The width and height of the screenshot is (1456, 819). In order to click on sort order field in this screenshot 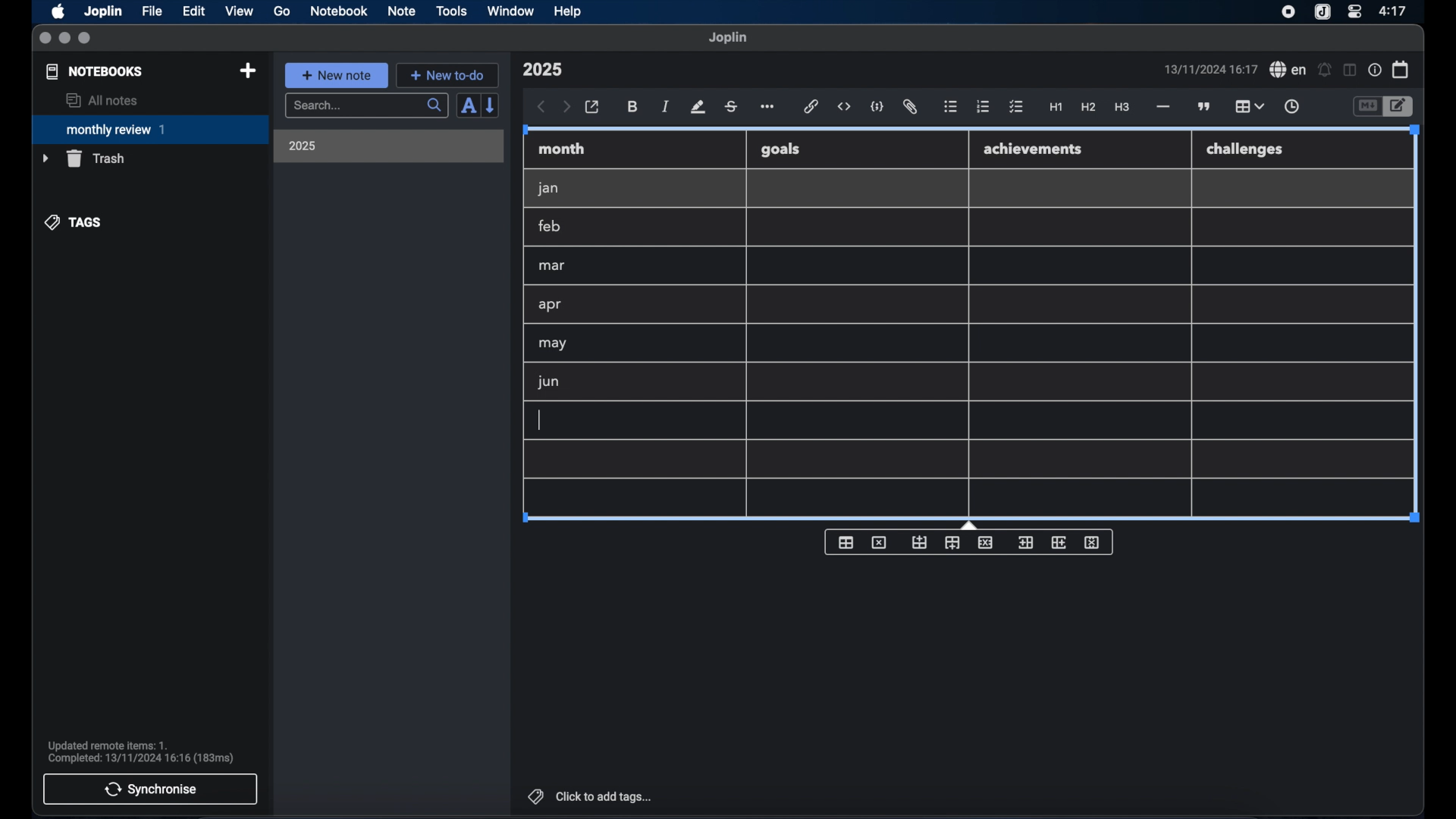, I will do `click(468, 106)`.